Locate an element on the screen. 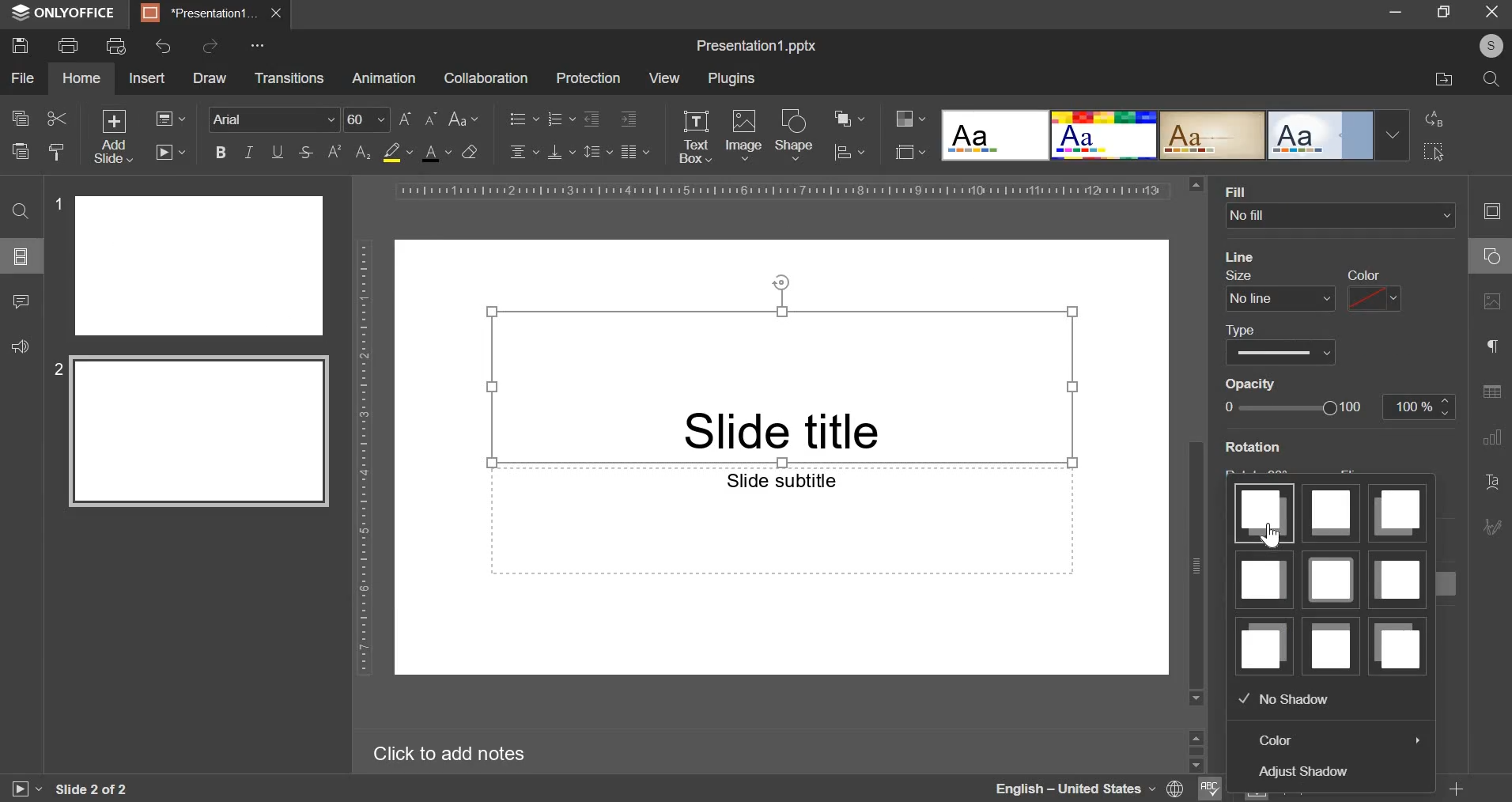 Image resolution: width=1512 pixels, height=802 pixels. horizontal alignment is located at coordinates (524, 149).